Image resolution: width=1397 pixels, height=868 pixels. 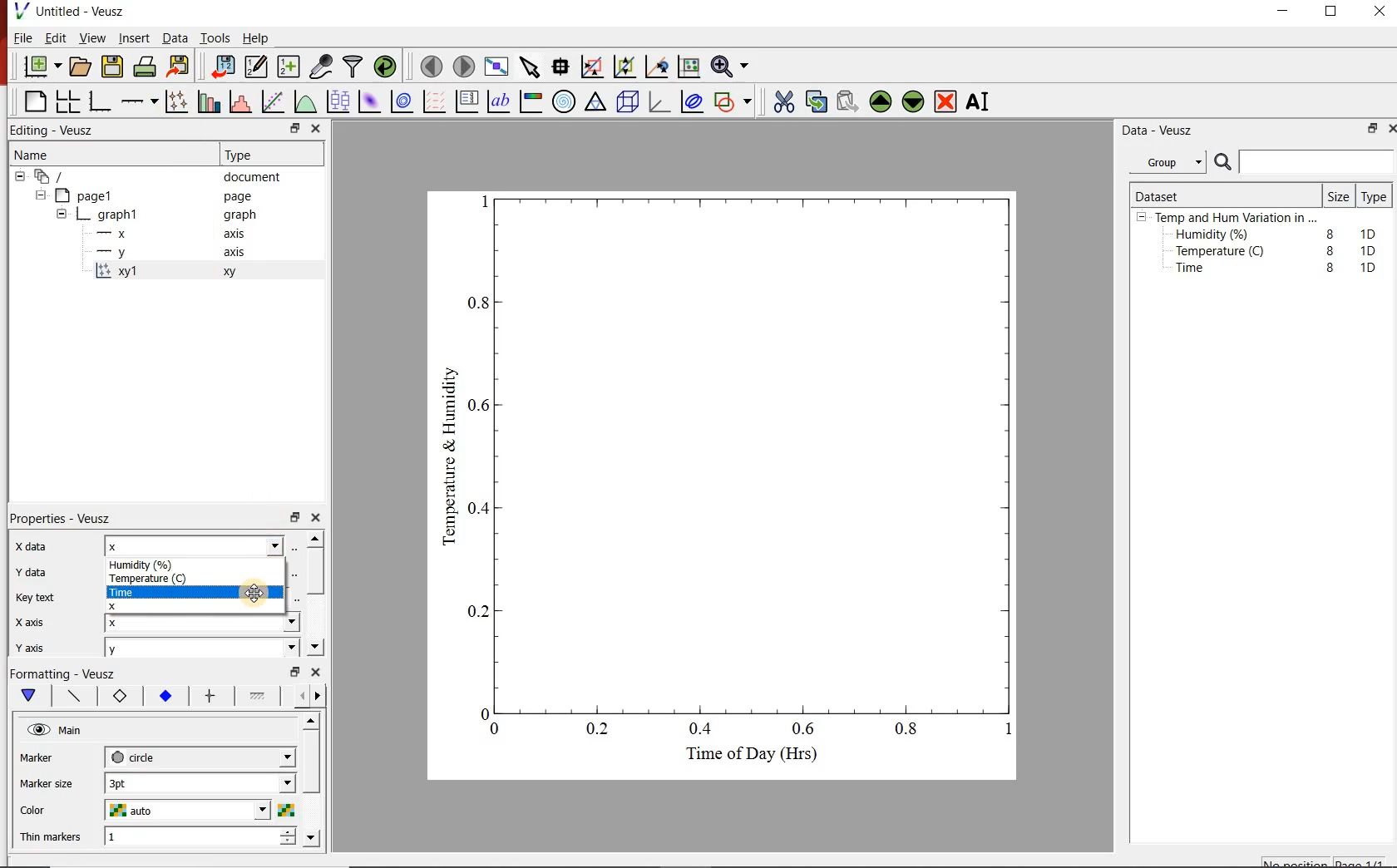 What do you see at coordinates (148, 577) in the screenshot?
I see `Temperature (C)` at bounding box center [148, 577].